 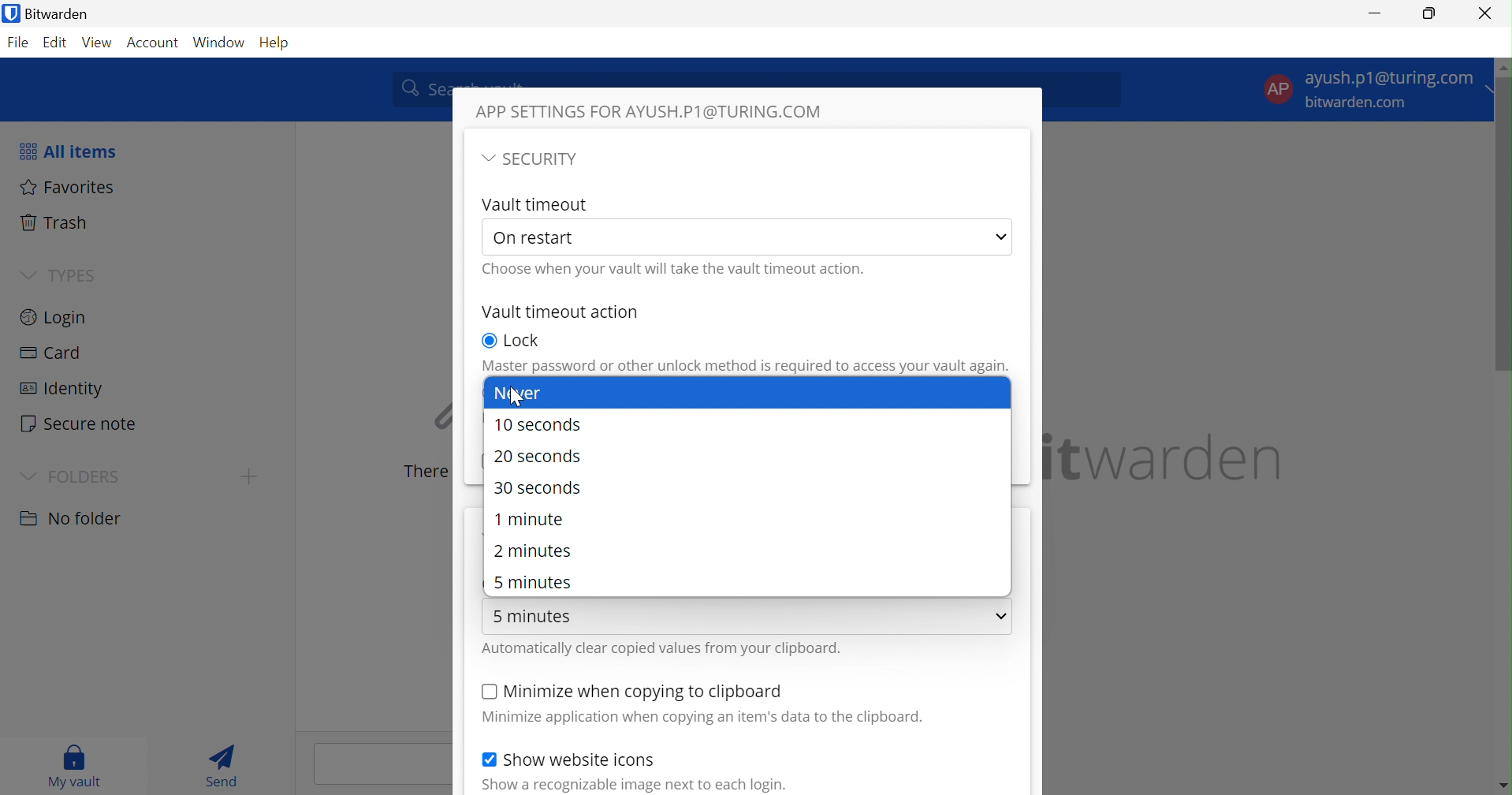 I want to click on Secure note, so click(x=80, y=423).